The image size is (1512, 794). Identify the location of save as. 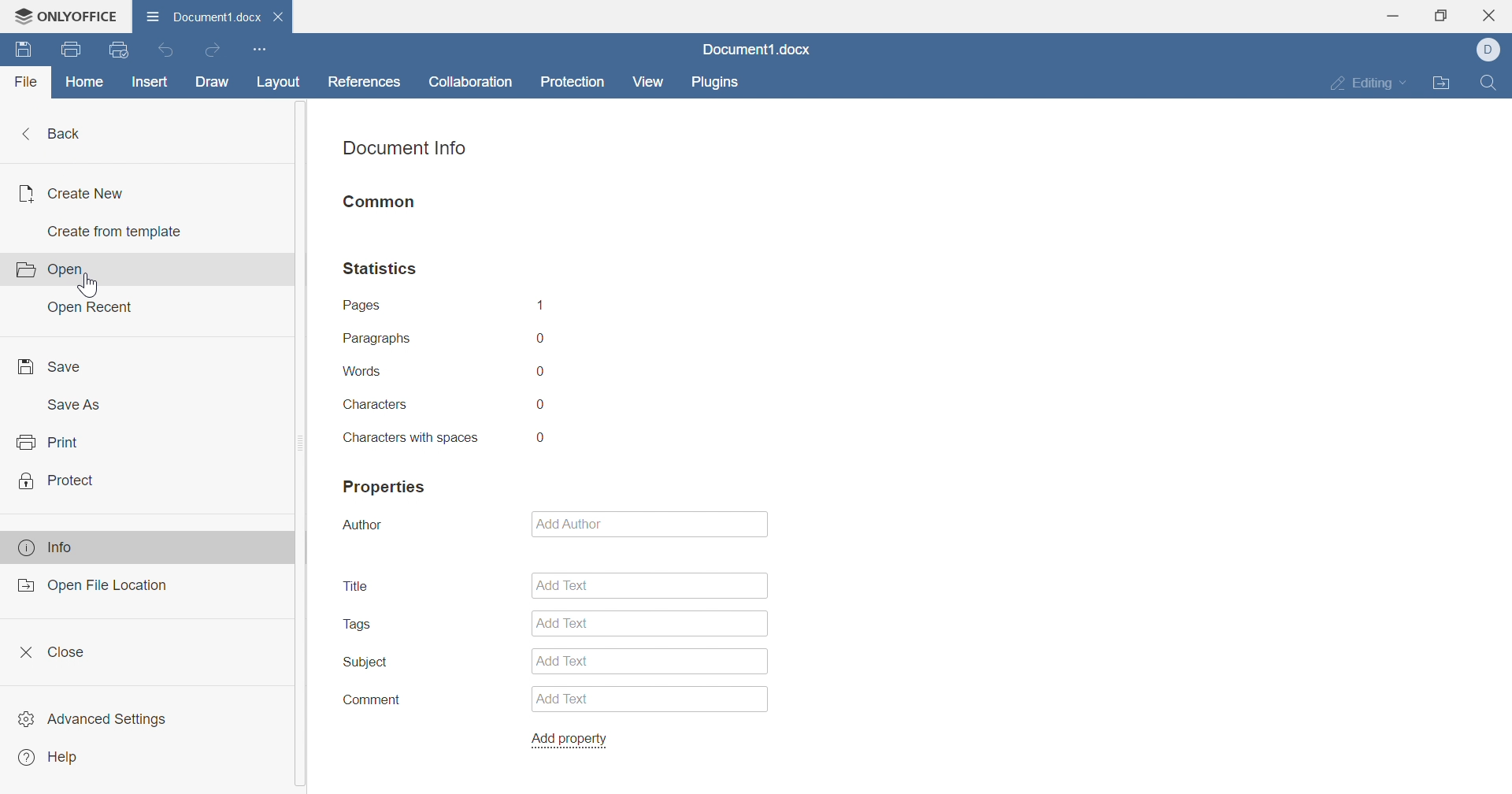
(70, 406).